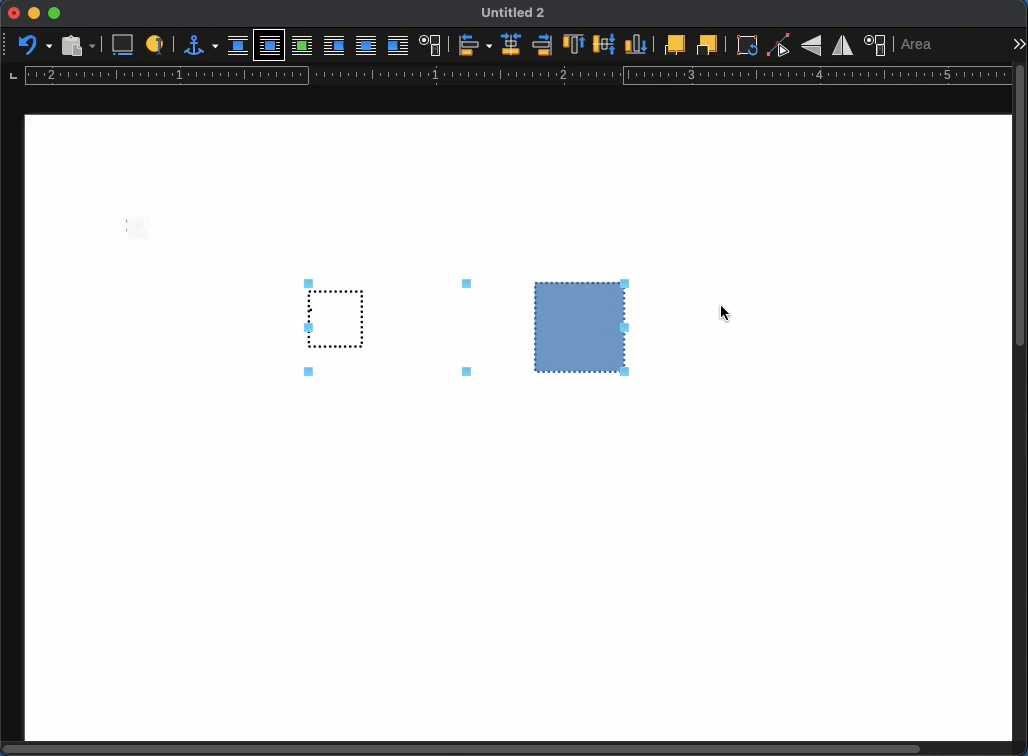  Describe the element at coordinates (34, 13) in the screenshot. I see `minimize` at that location.